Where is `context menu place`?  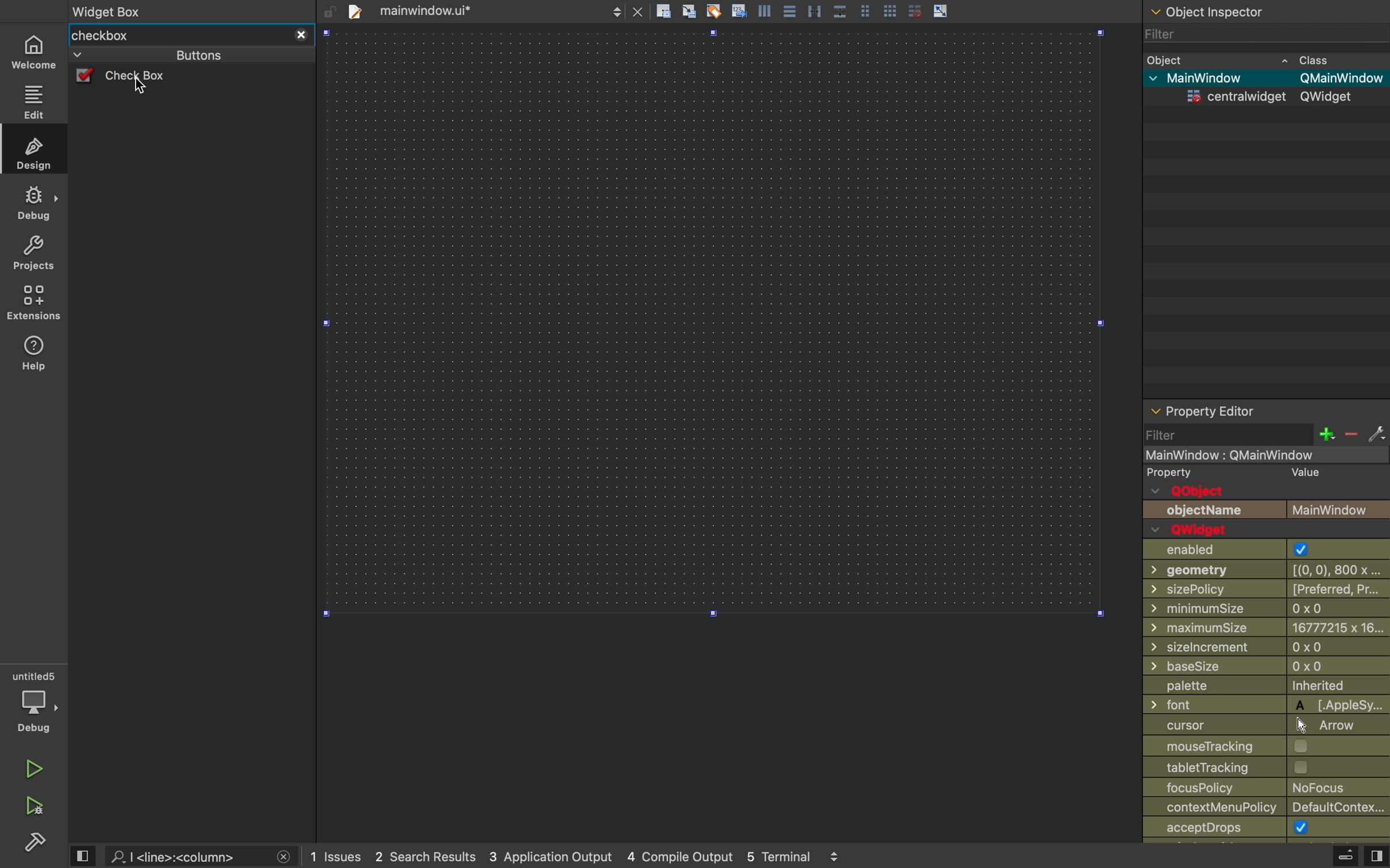 context menu place is located at coordinates (1269, 808).